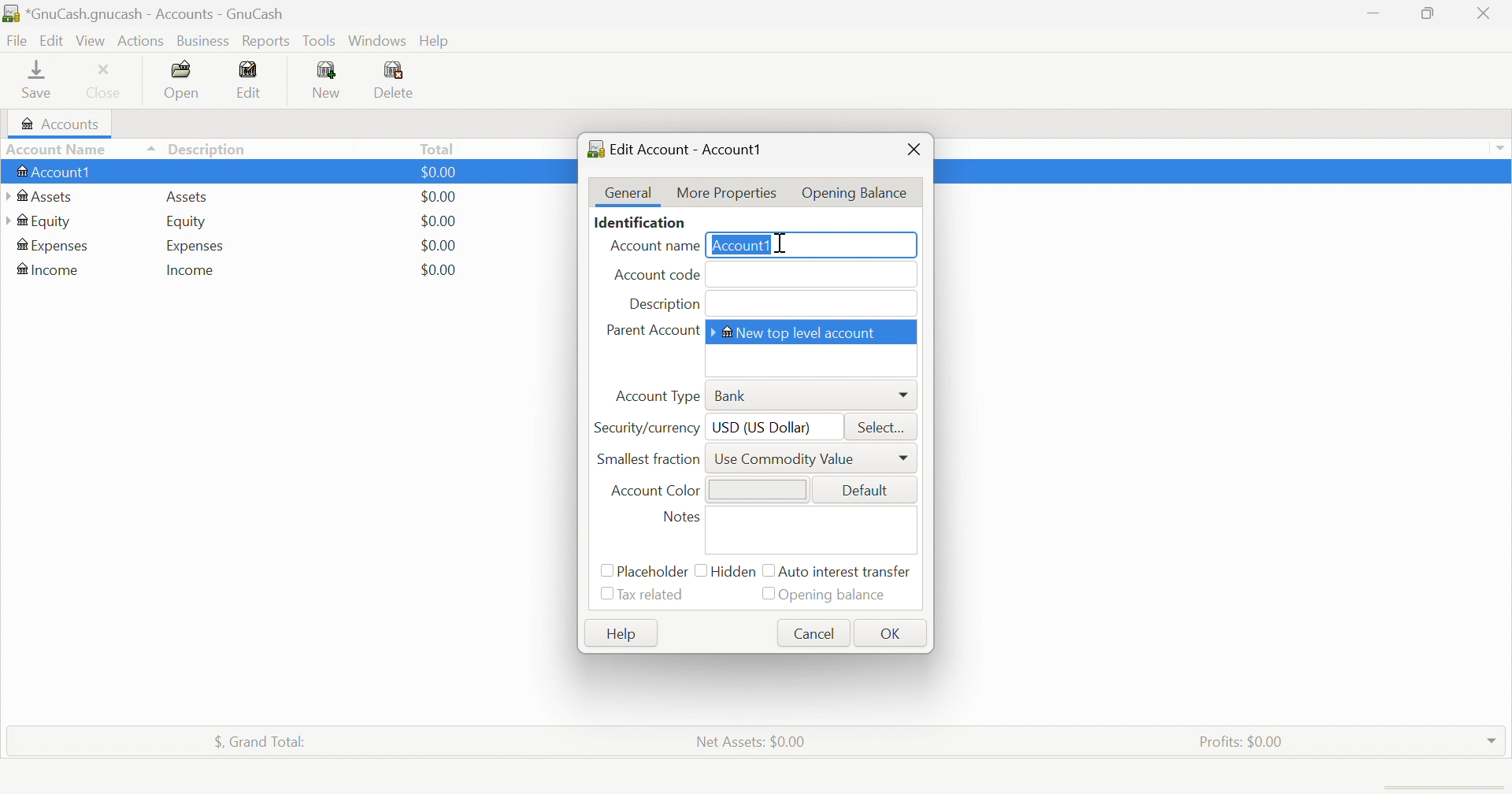  Describe the element at coordinates (443, 150) in the screenshot. I see `Total` at that location.